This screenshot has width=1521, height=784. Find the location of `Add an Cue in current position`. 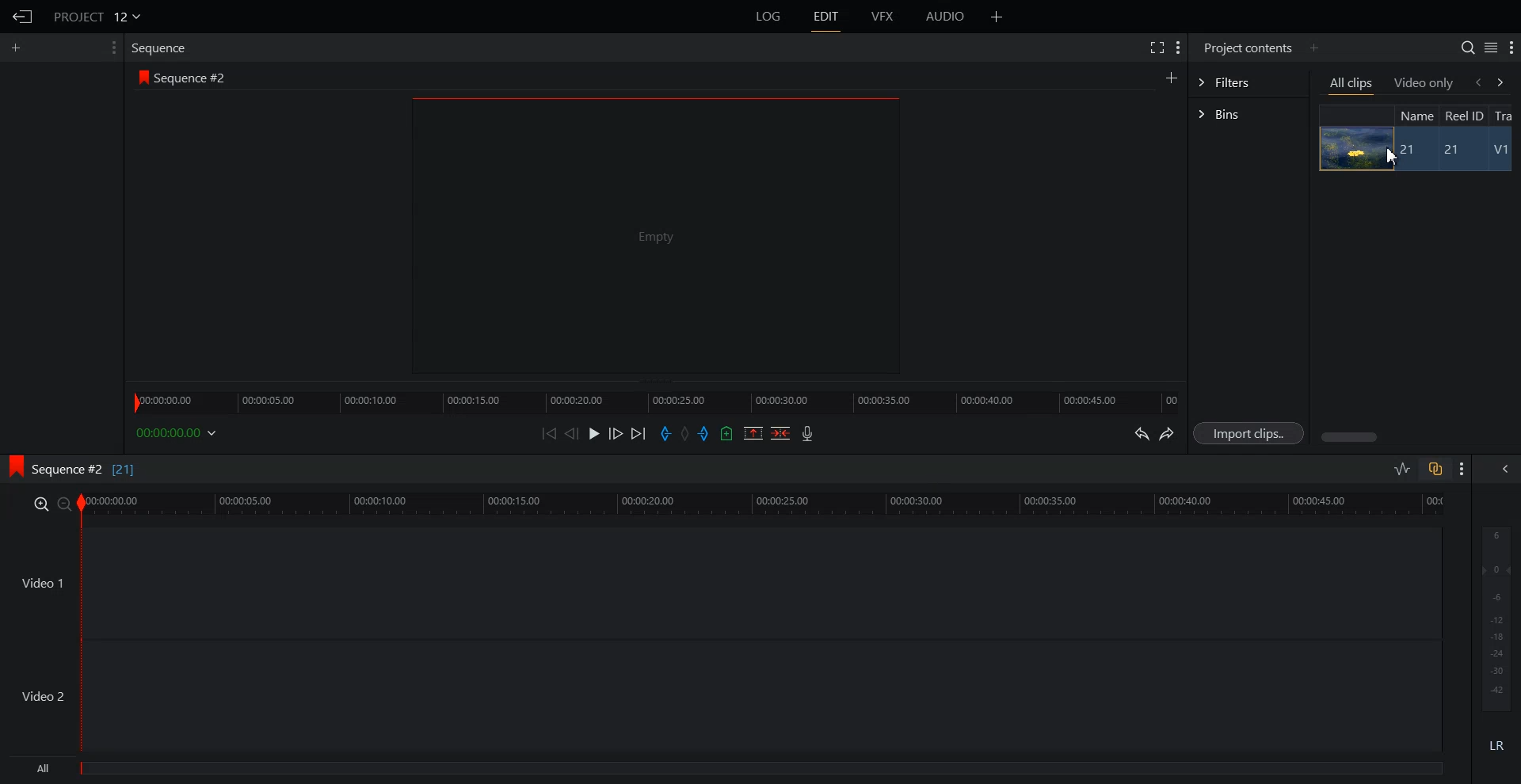

Add an Cue in current position is located at coordinates (727, 433).